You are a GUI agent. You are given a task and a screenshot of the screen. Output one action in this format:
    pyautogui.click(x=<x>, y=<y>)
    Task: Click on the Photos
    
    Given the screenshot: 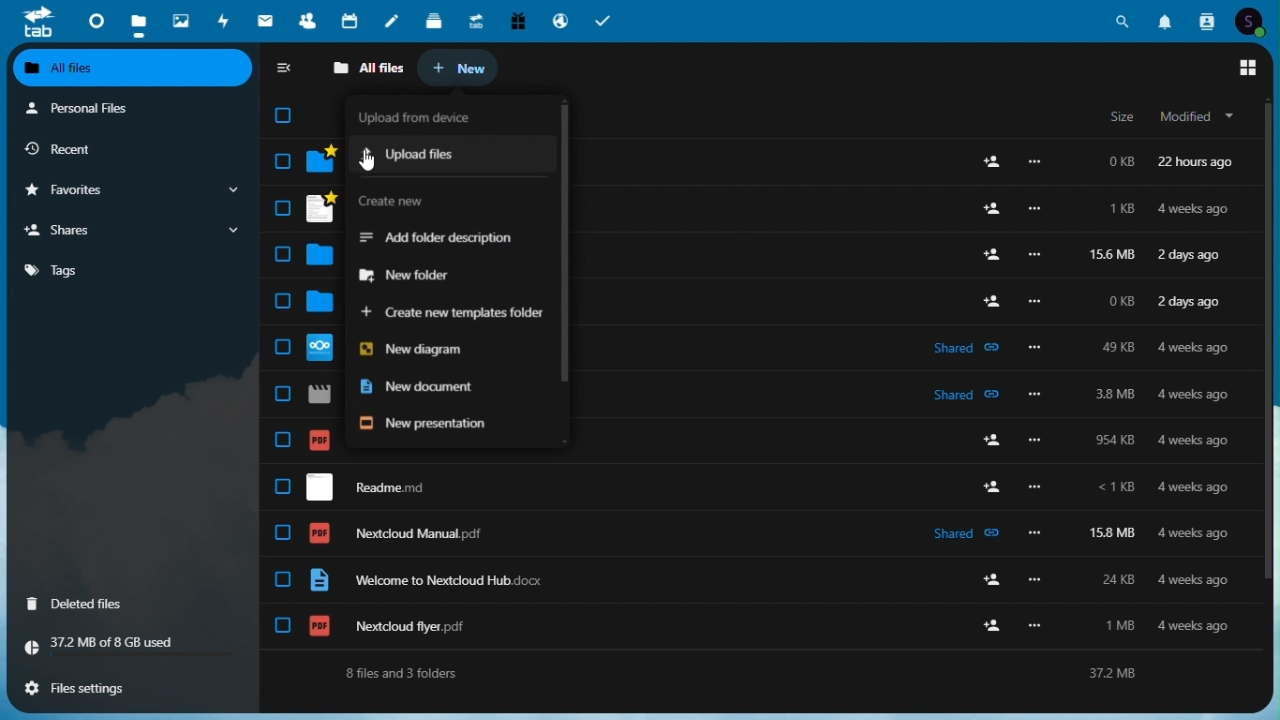 What is the action you would take?
    pyautogui.click(x=181, y=22)
    